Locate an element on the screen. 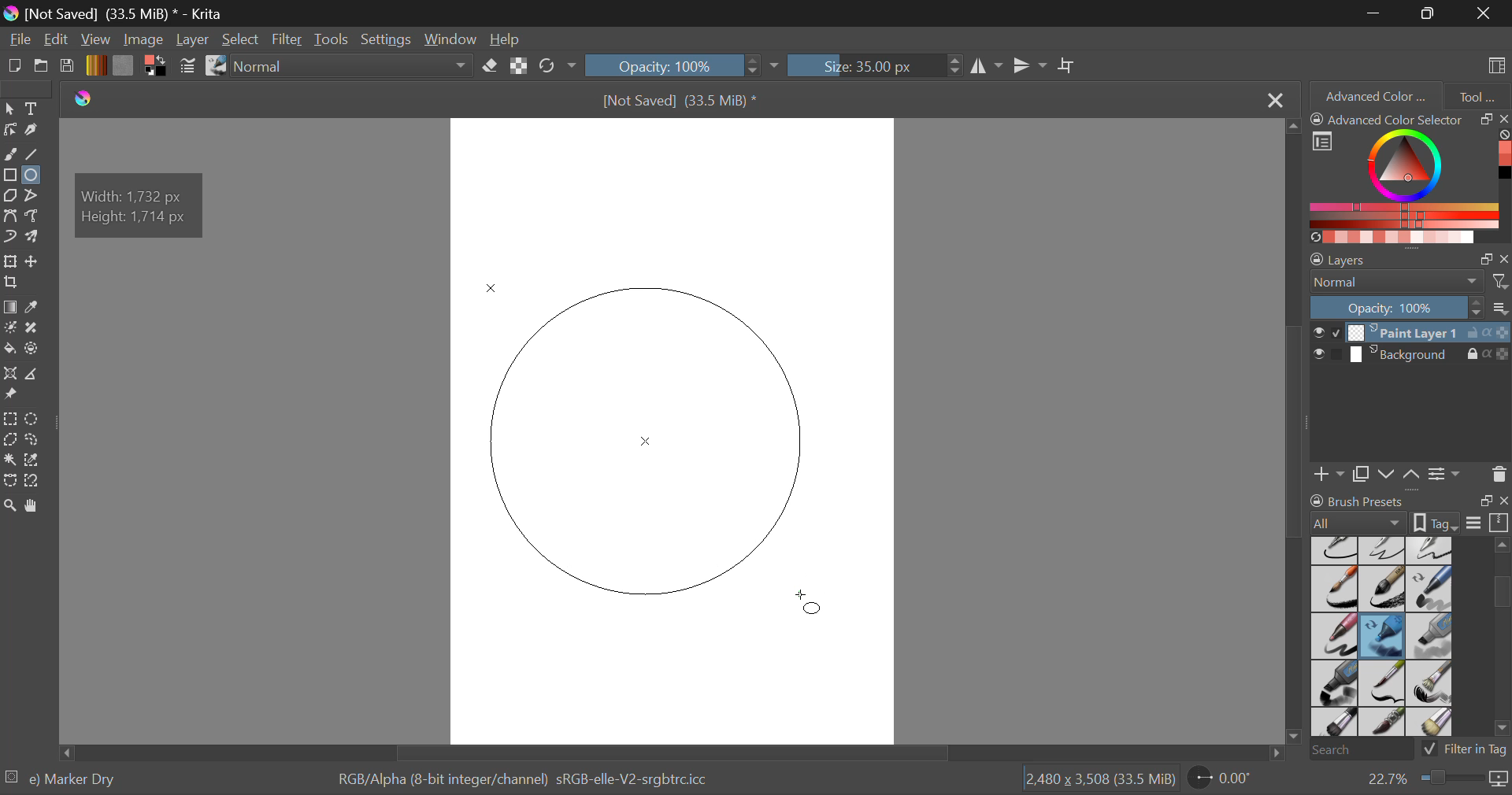 This screenshot has height=795, width=1512. Sheet Rotation is located at coordinates (1228, 778).